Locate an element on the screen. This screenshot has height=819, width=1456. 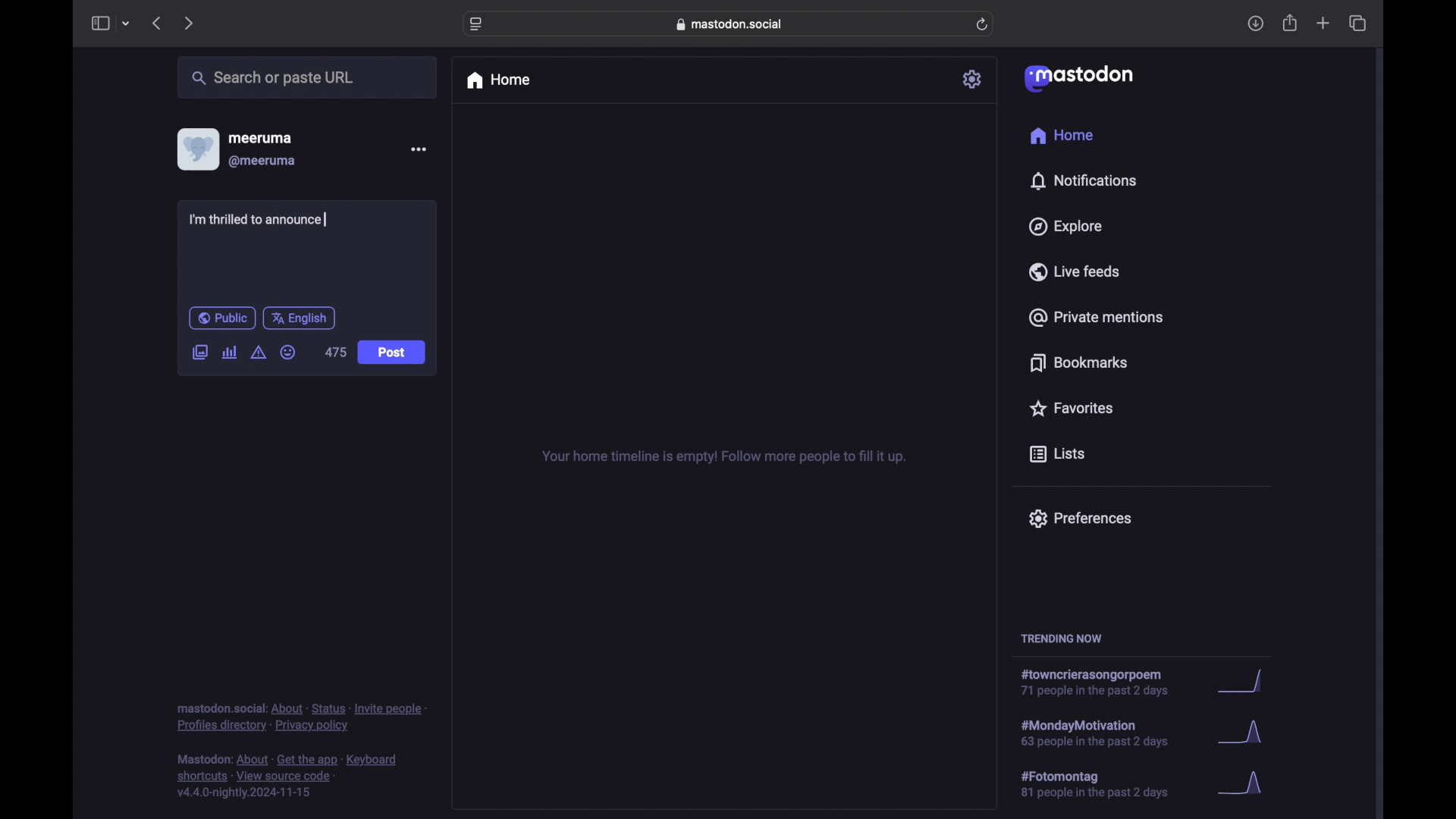
side bar is located at coordinates (99, 23).